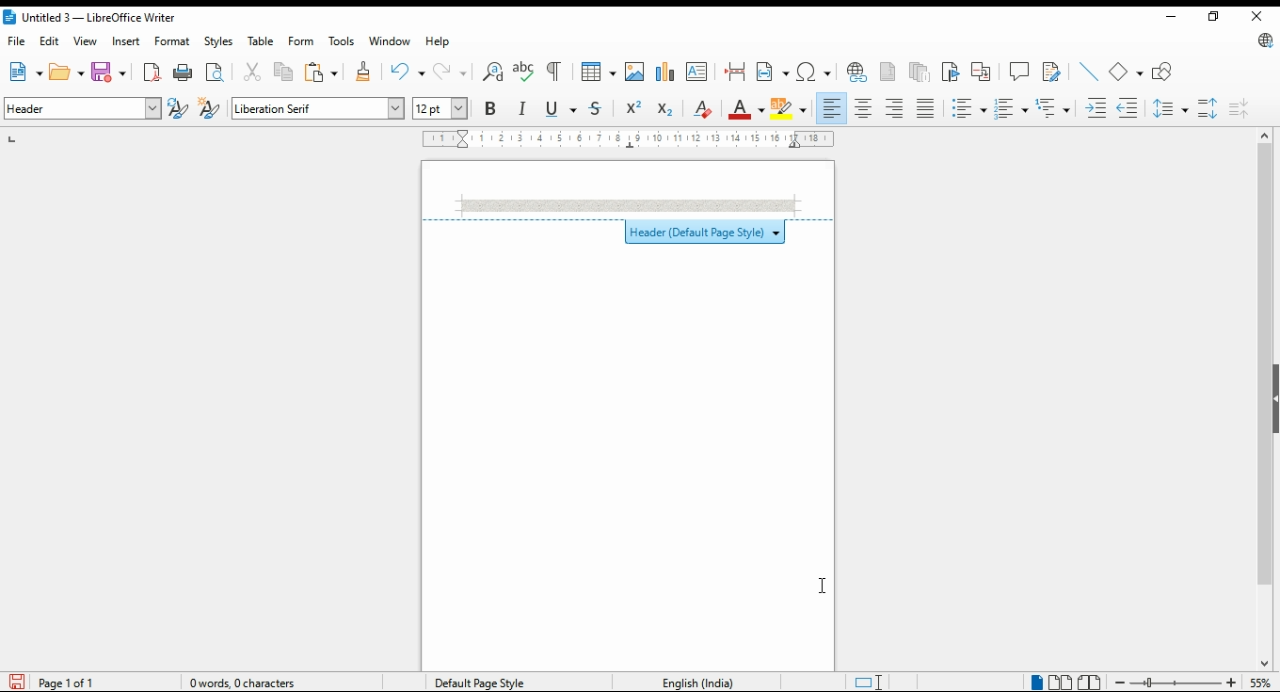  I want to click on toggle unordered list, so click(968, 109).